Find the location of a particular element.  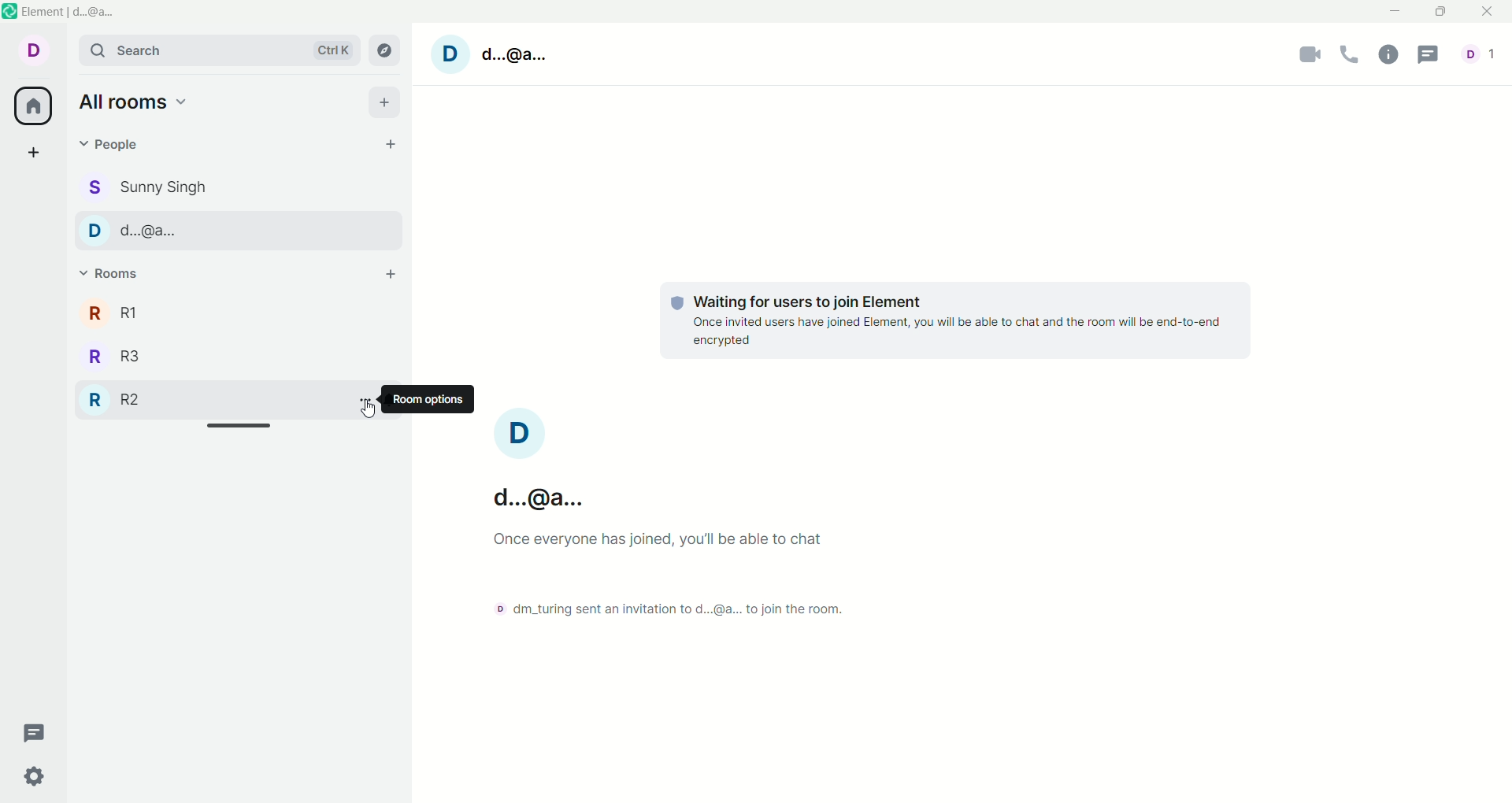

element is located at coordinates (63, 12).